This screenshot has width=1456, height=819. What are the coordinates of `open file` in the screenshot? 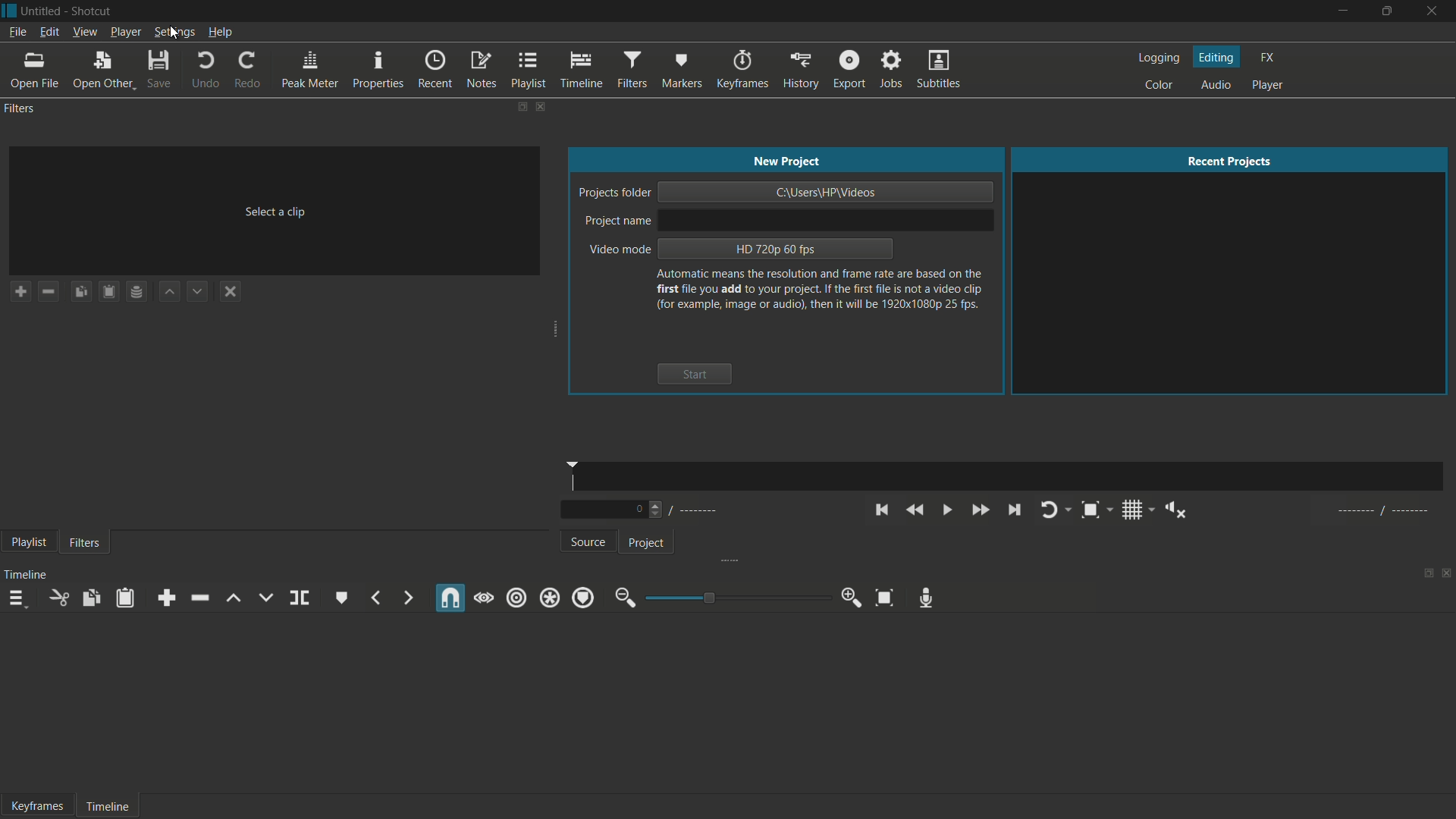 It's located at (34, 71).